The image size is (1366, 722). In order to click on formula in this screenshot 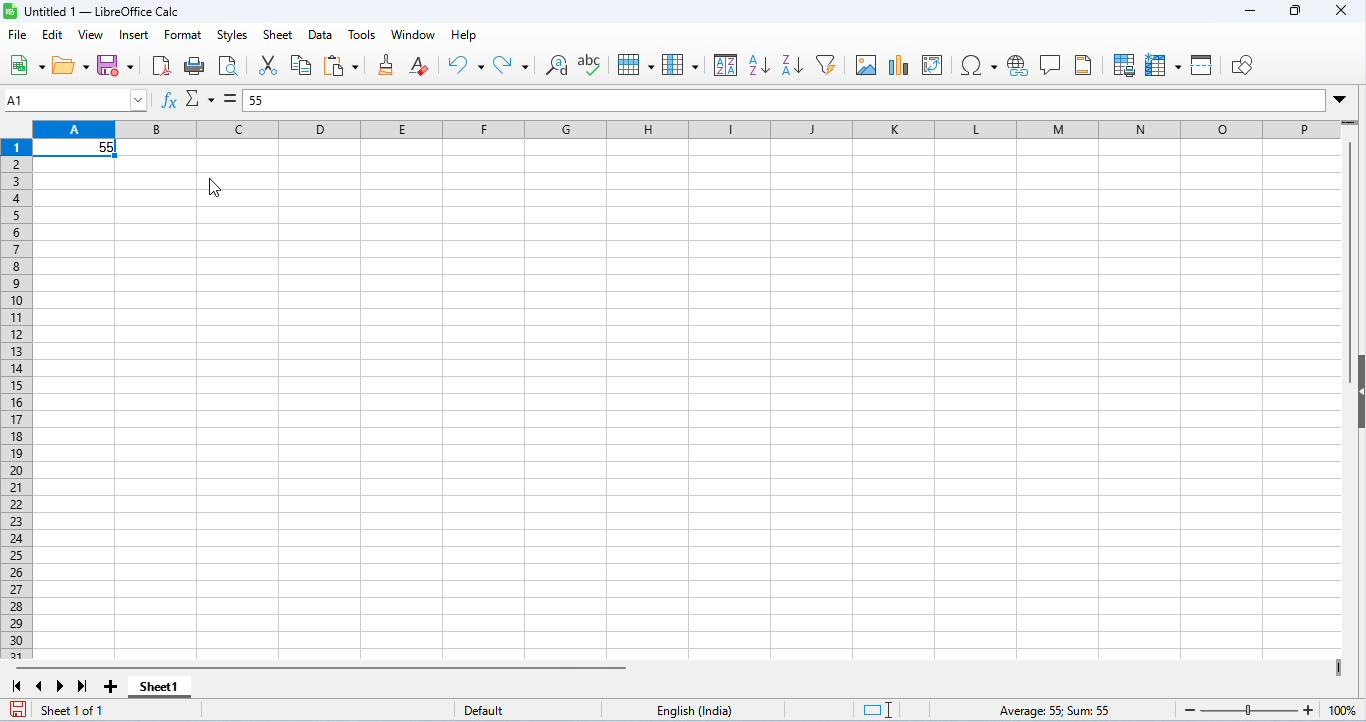, I will do `click(1053, 709)`.